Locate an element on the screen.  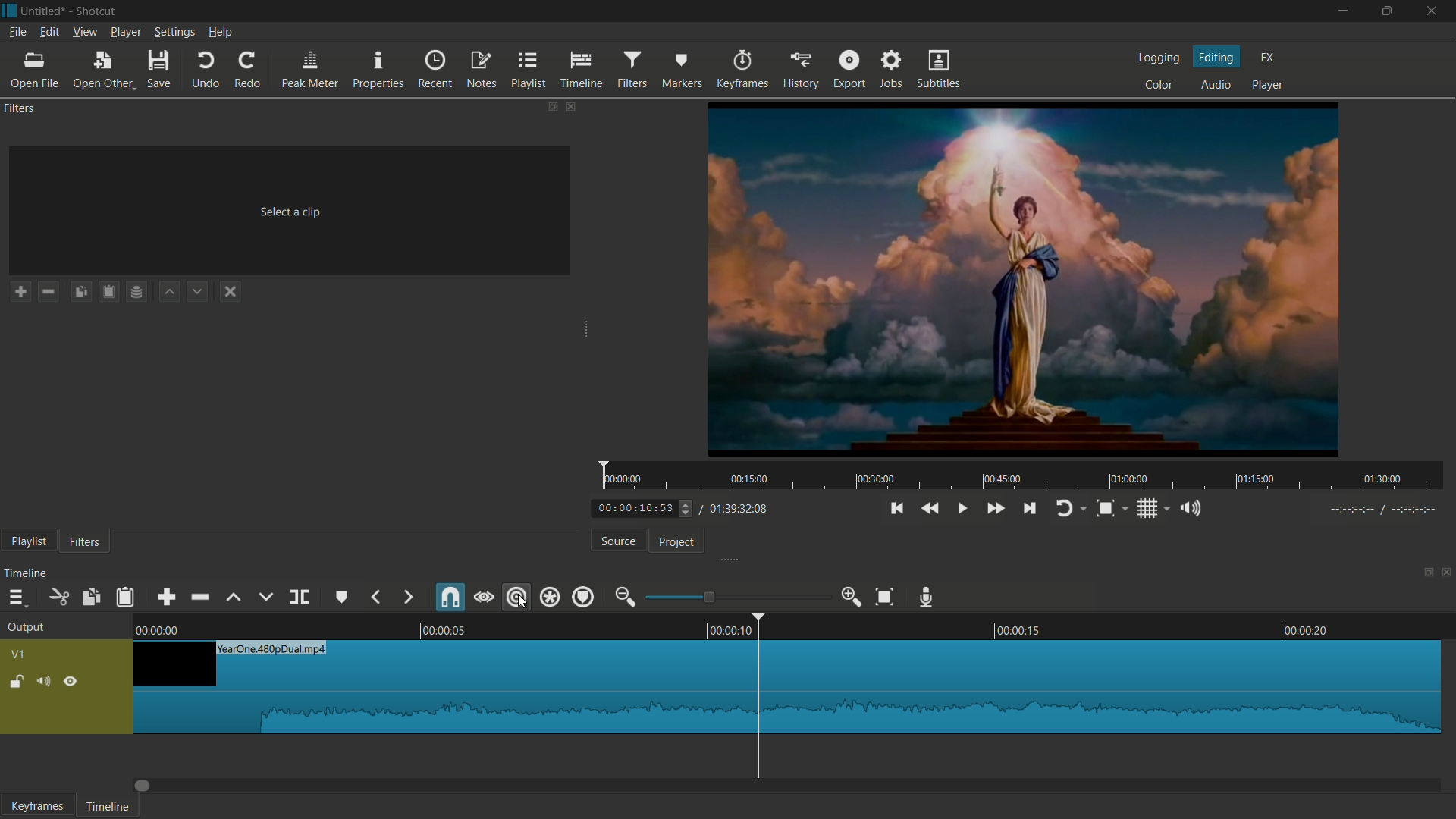
peak meter is located at coordinates (310, 70).